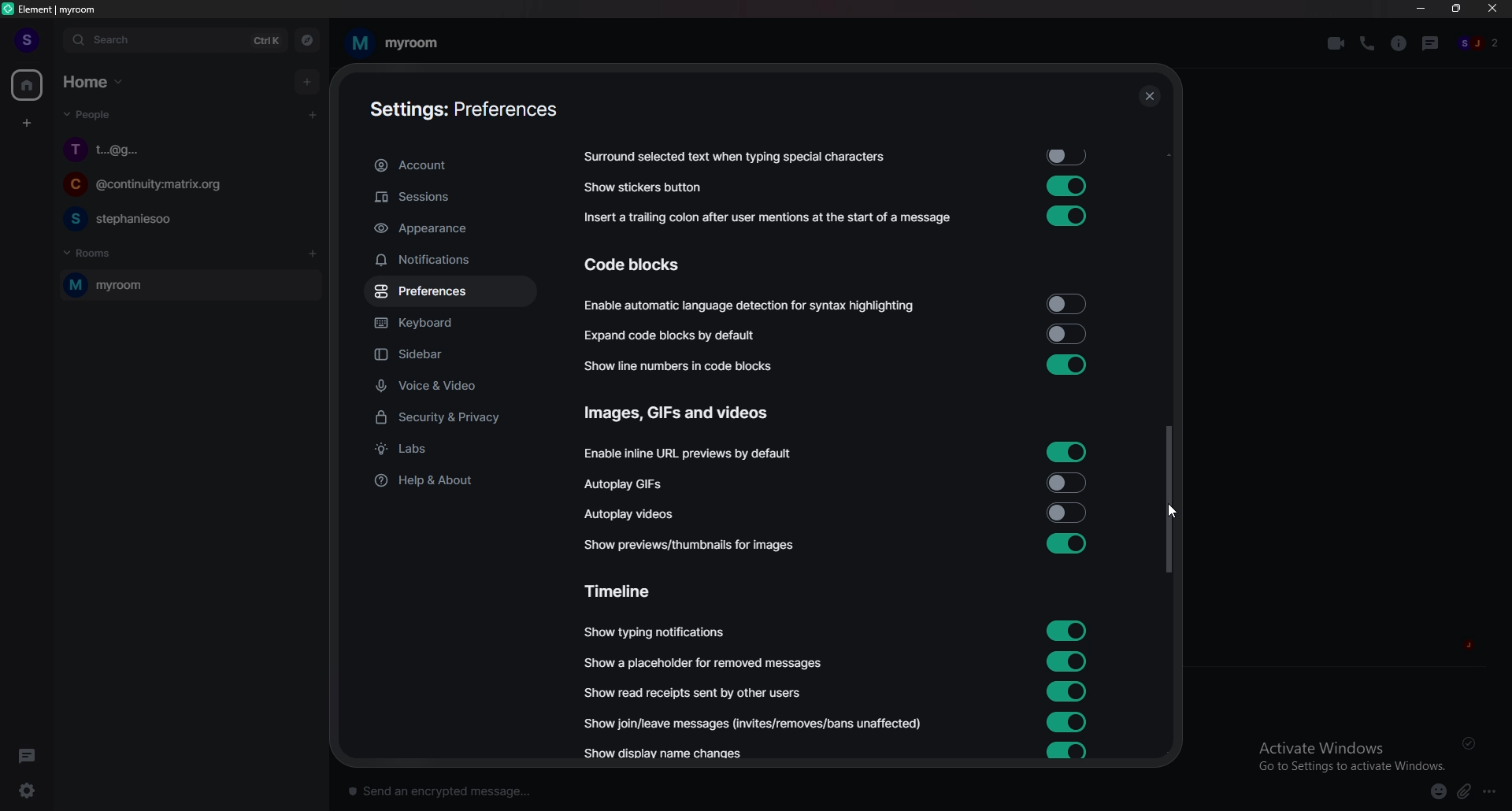  Describe the element at coordinates (1346, 754) in the screenshot. I see `Activate Windows` at that location.